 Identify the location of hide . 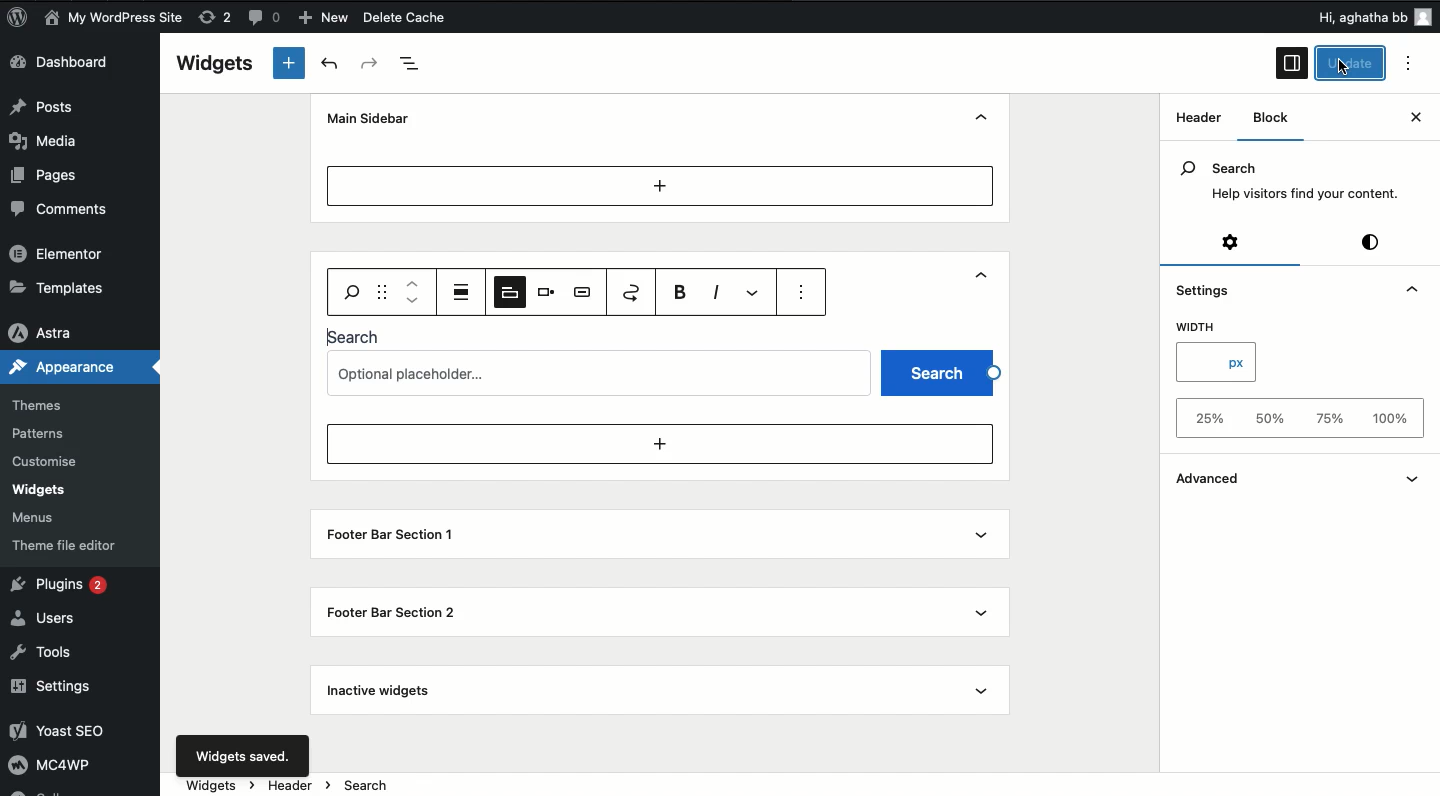
(1406, 288).